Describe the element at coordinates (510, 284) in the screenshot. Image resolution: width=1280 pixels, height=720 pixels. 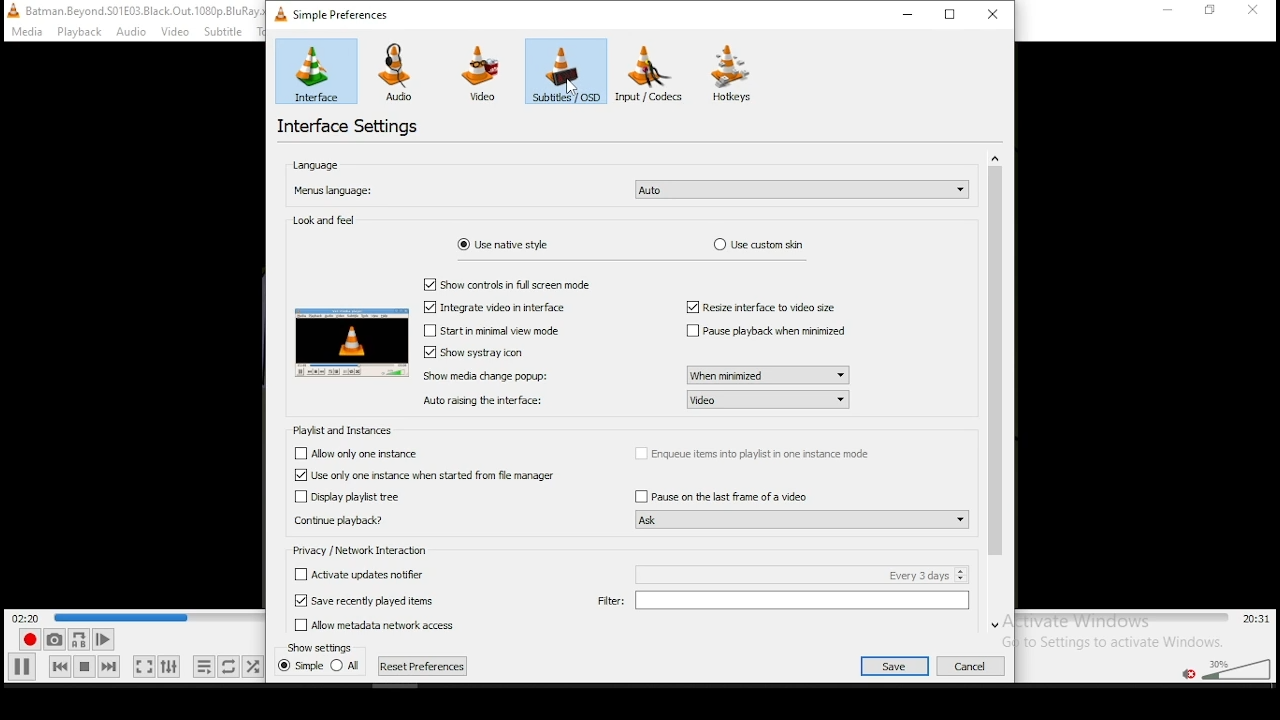
I see `checkbox: show controls in full screen mode` at that location.